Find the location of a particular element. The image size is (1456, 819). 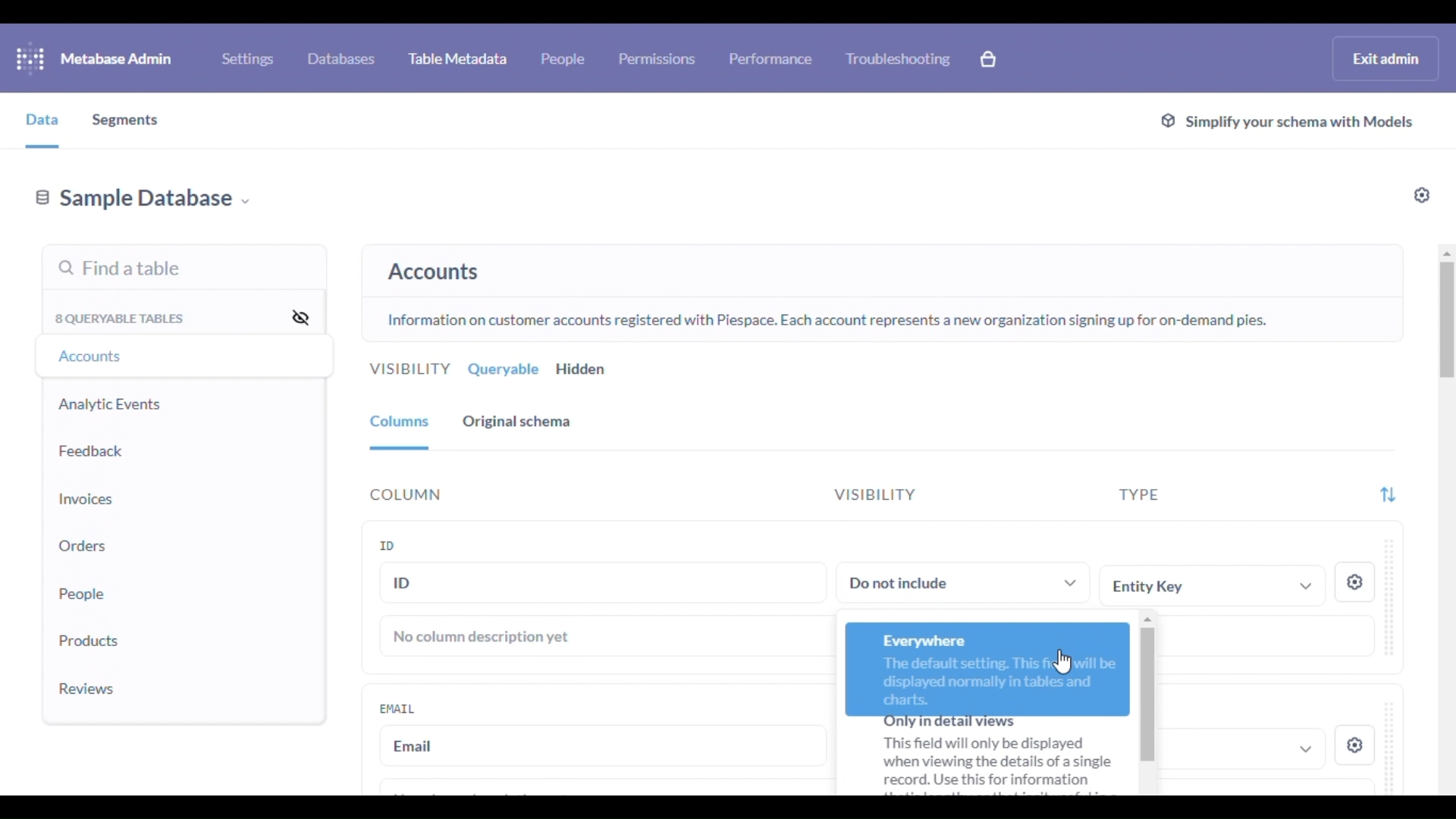

data is located at coordinates (42, 120).